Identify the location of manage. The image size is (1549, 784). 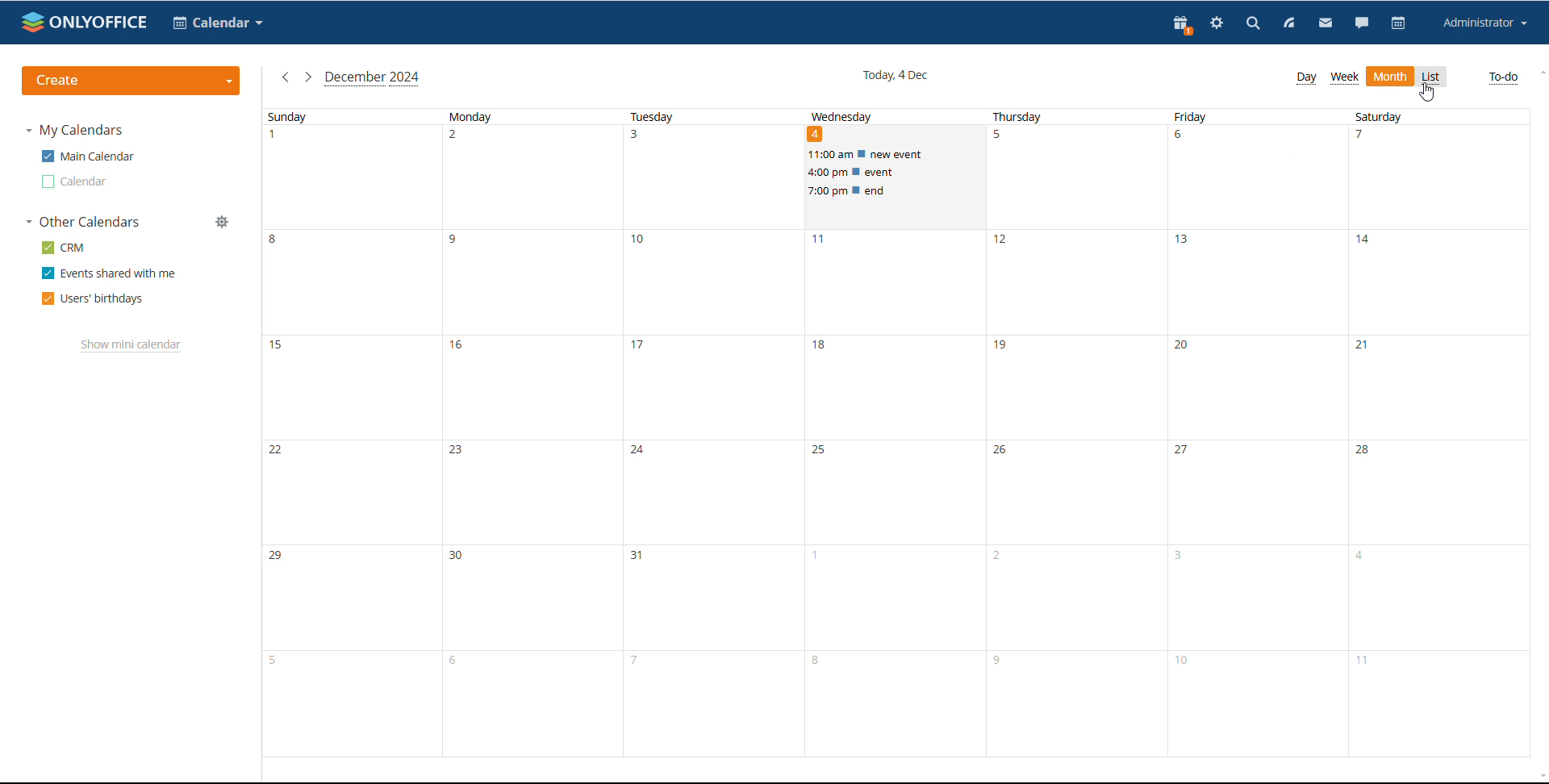
(223, 223).